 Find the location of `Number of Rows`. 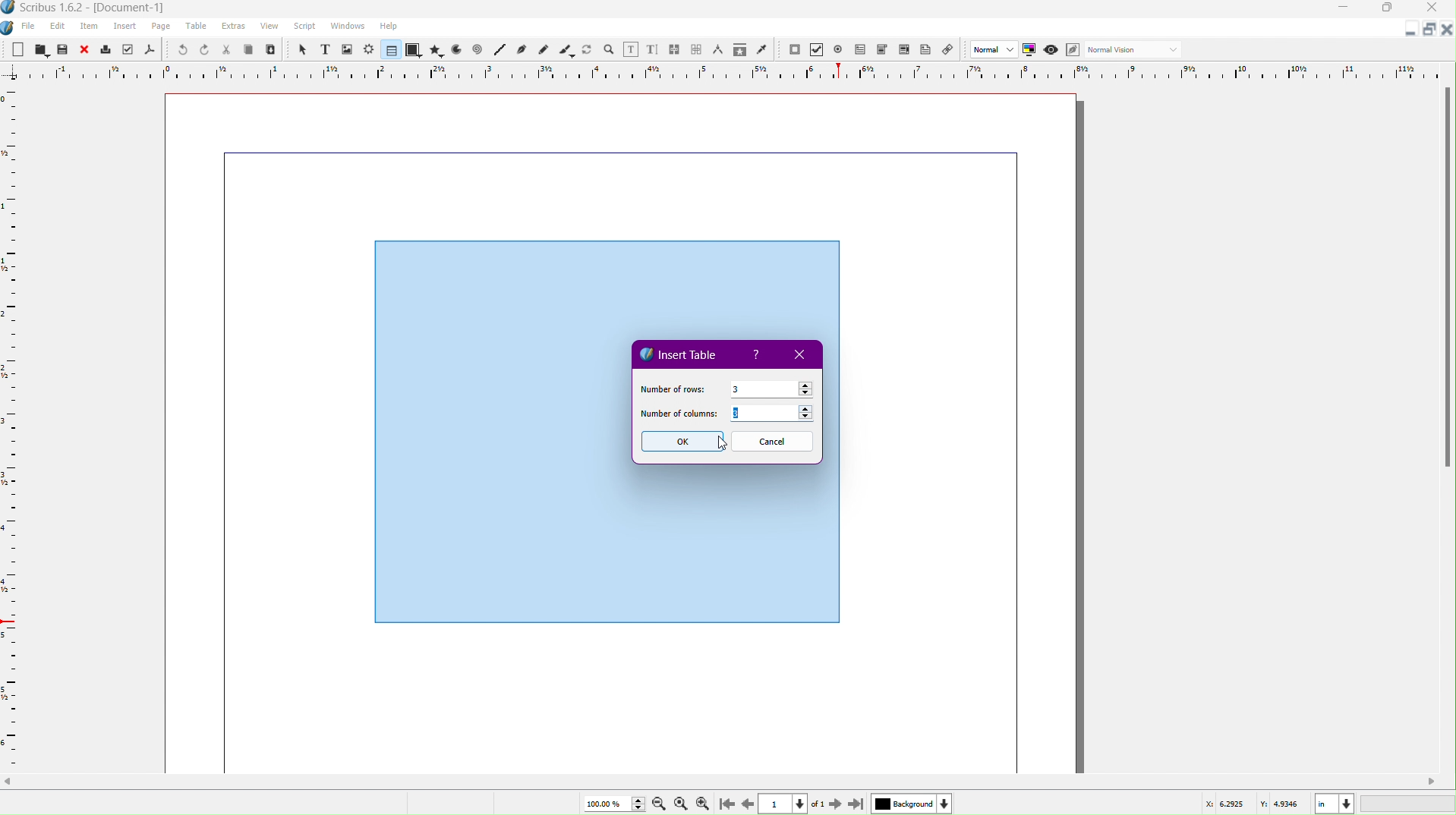

Number of Rows is located at coordinates (671, 388).